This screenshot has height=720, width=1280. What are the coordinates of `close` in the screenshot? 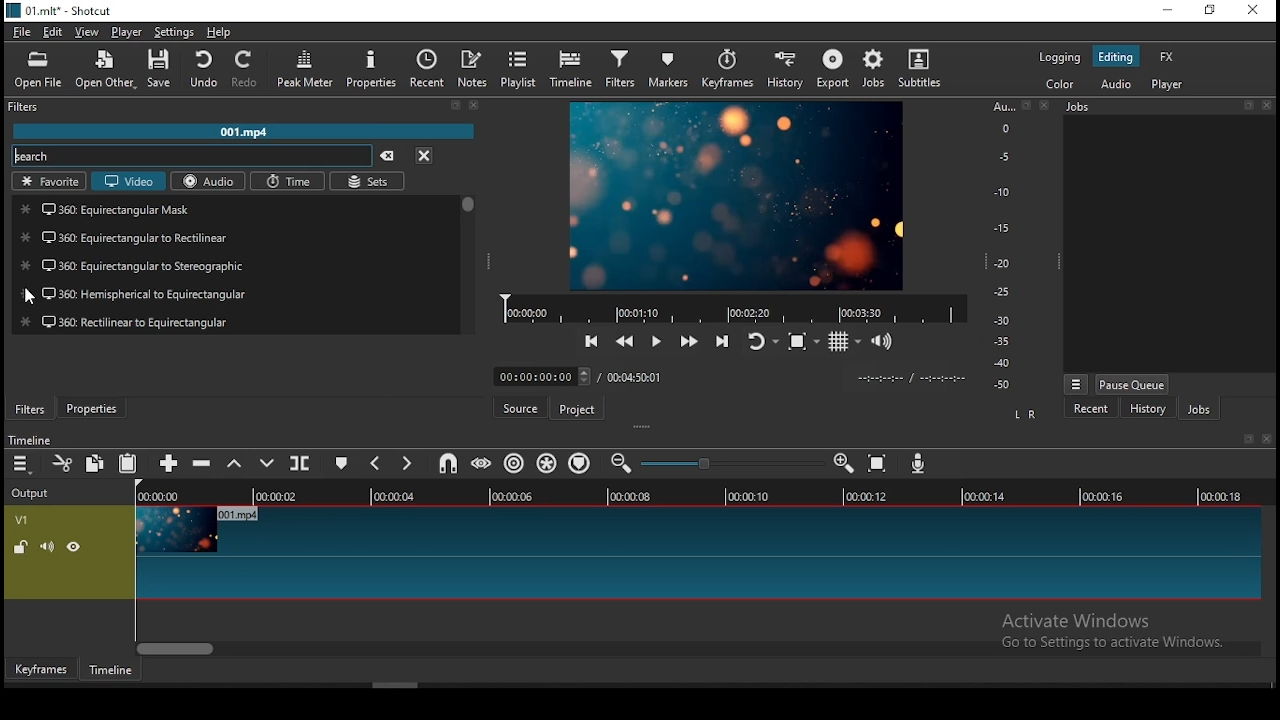 It's located at (477, 106).